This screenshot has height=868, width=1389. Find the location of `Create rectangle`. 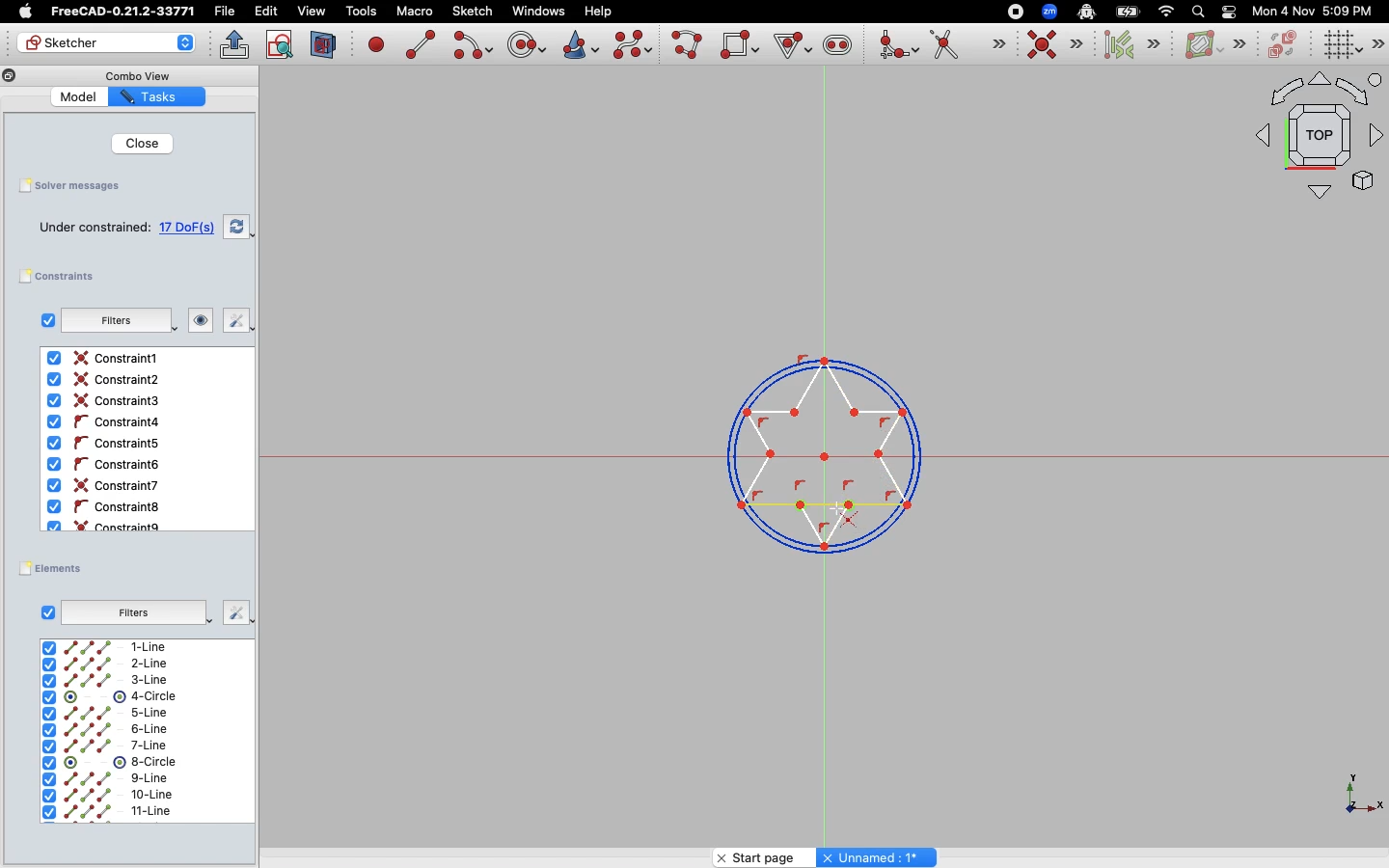

Create rectangle is located at coordinates (740, 44).